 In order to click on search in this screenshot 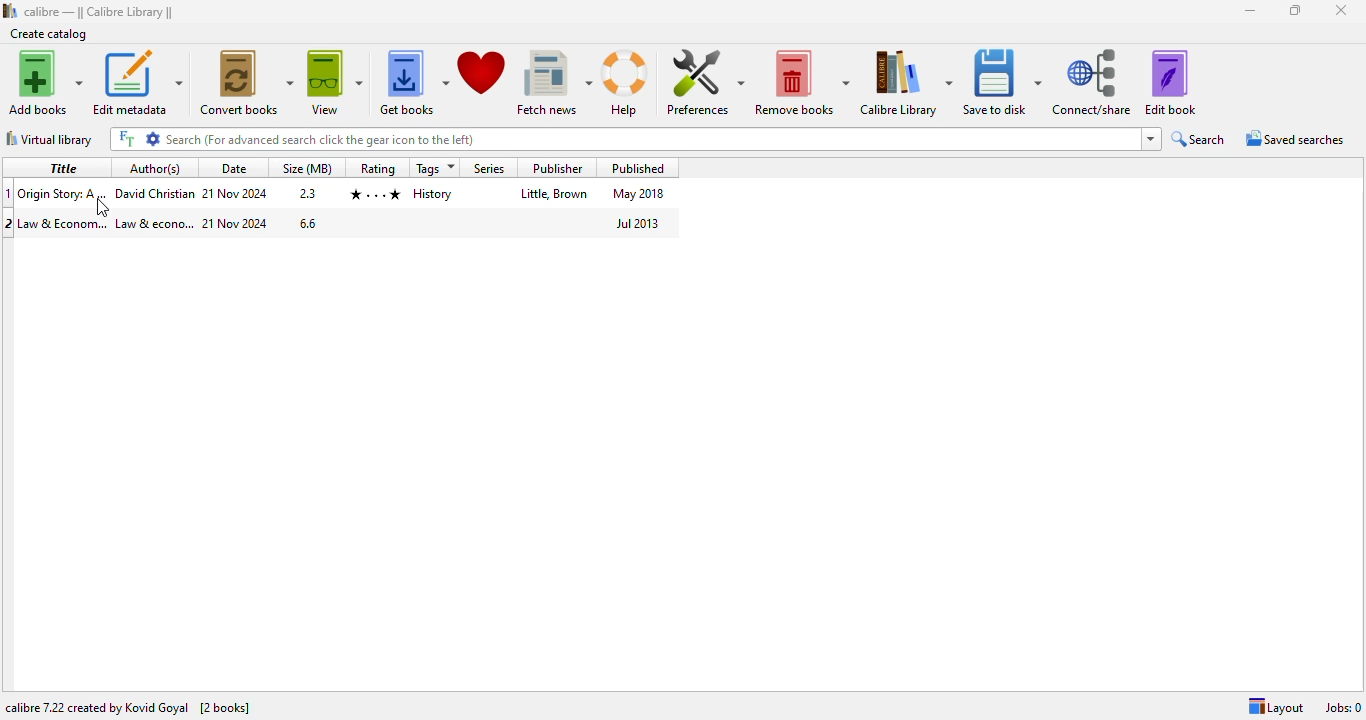, I will do `click(1200, 139)`.